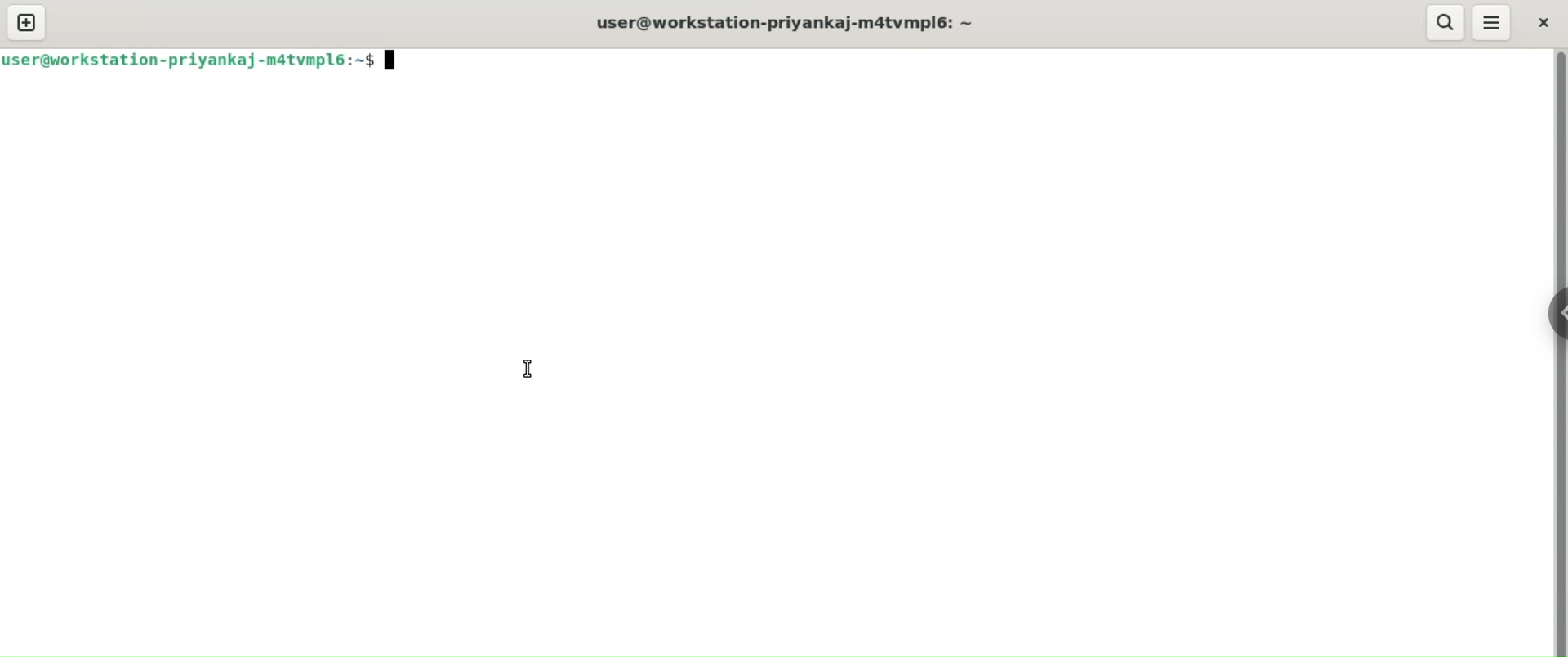  What do you see at coordinates (1492, 23) in the screenshot?
I see `menu` at bounding box center [1492, 23].